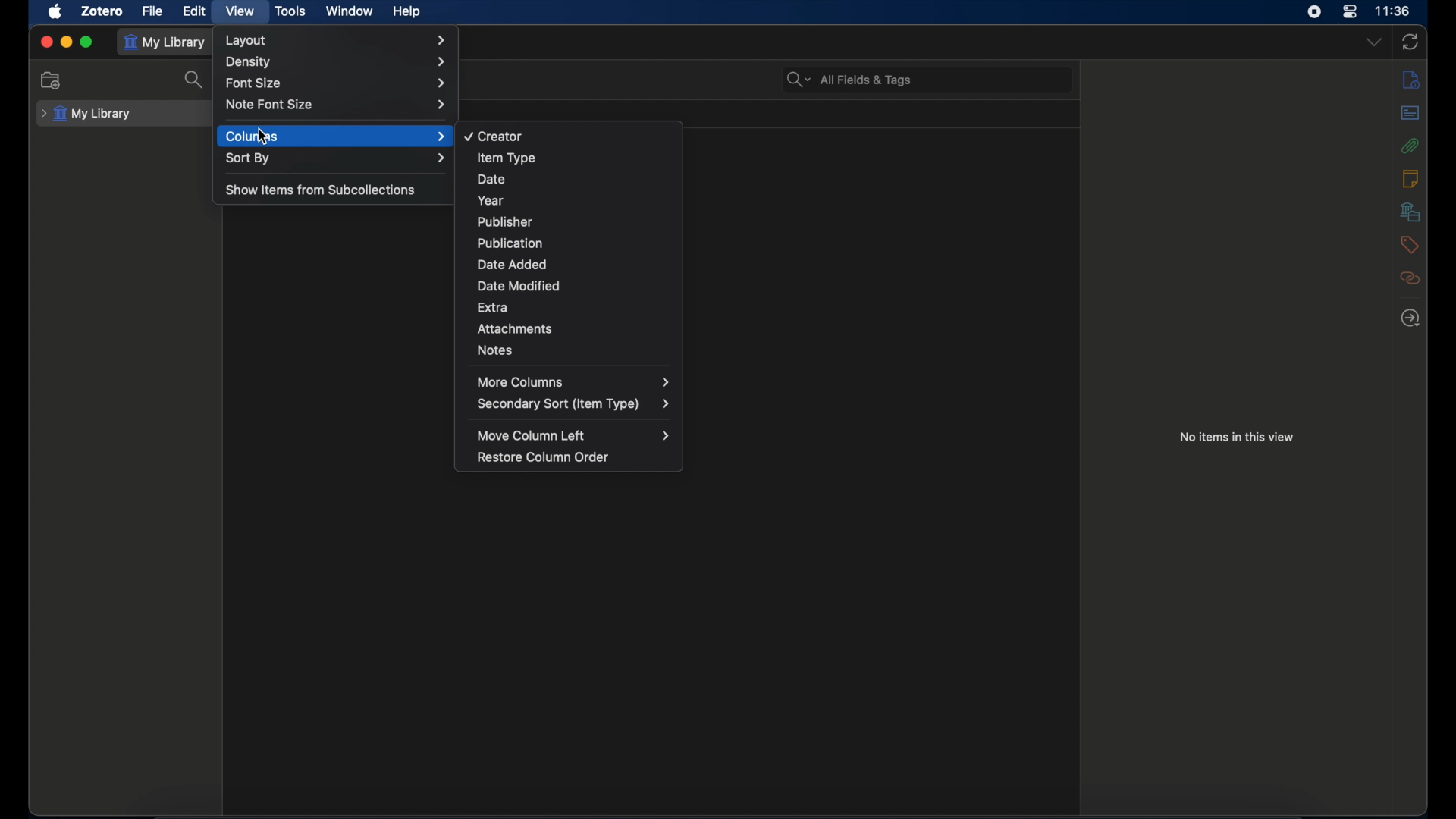 The image size is (1456, 819). Describe the element at coordinates (336, 105) in the screenshot. I see `note font size` at that location.